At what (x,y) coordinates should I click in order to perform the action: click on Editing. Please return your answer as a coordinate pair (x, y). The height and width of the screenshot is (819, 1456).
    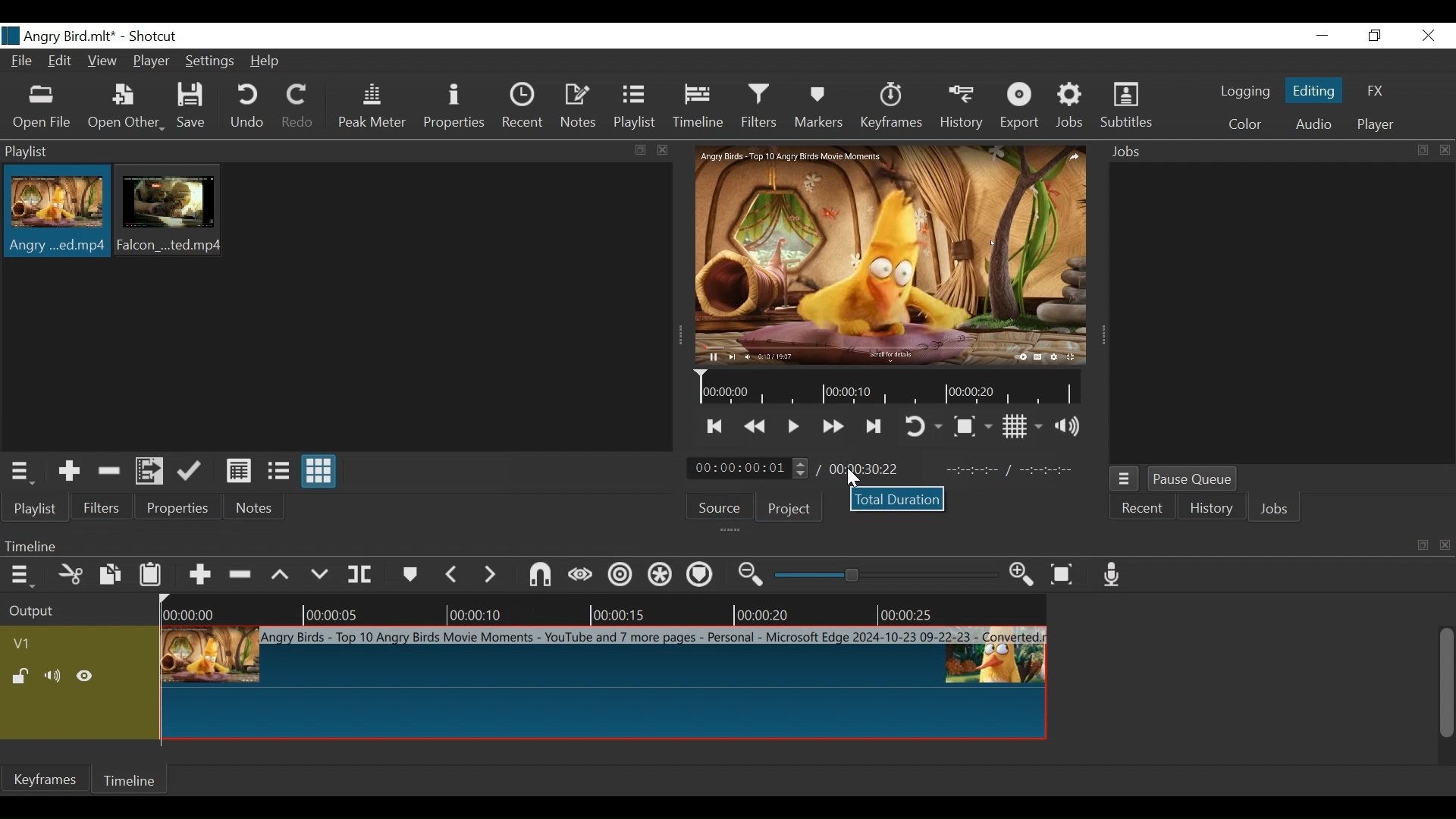
    Looking at the image, I should click on (1317, 89).